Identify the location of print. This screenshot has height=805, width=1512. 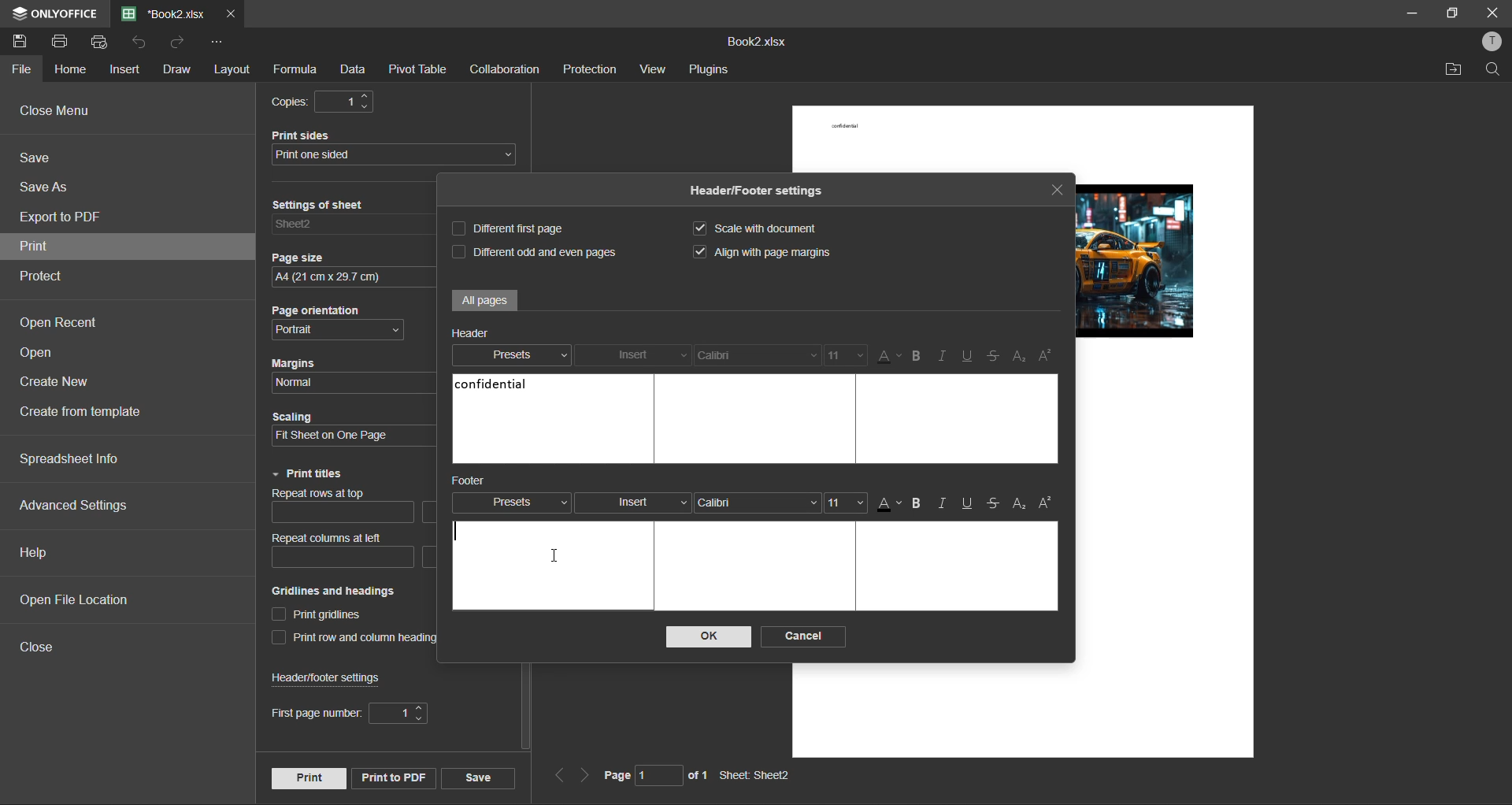
(308, 778).